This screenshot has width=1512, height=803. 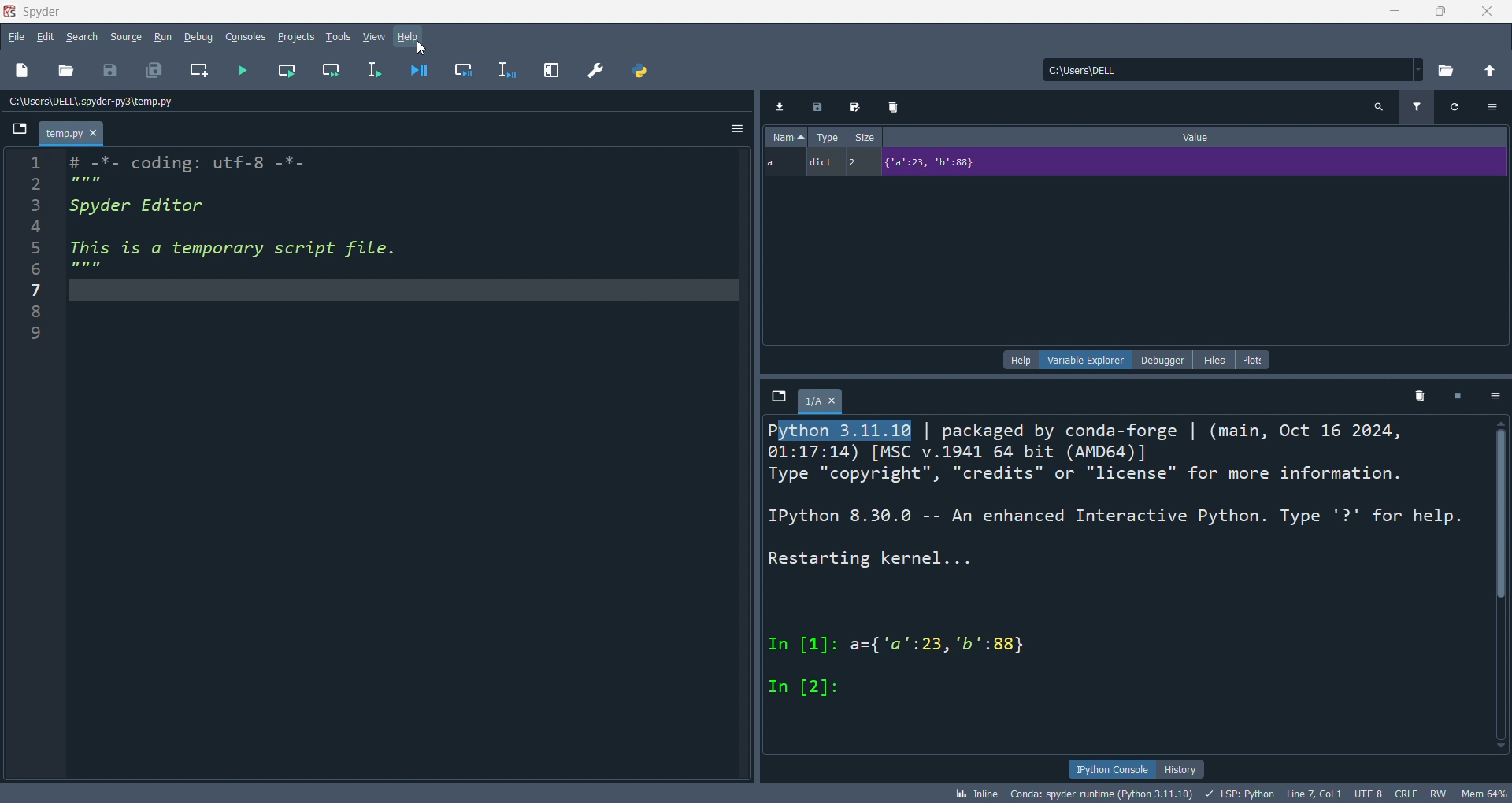 What do you see at coordinates (45, 37) in the screenshot?
I see `edit` at bounding box center [45, 37].